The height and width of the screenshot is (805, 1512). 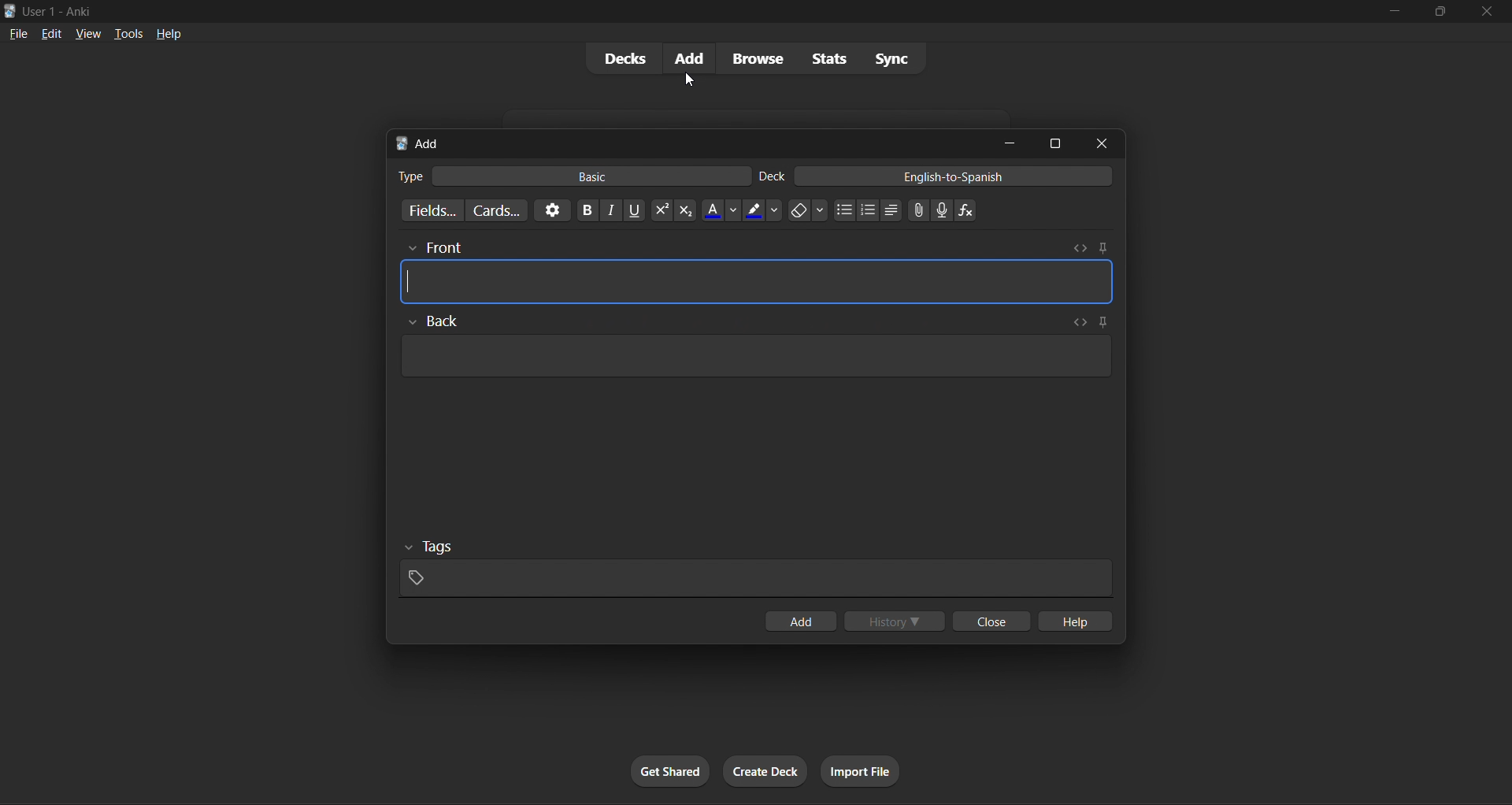 I want to click on maximize/restore, so click(x=1436, y=12).